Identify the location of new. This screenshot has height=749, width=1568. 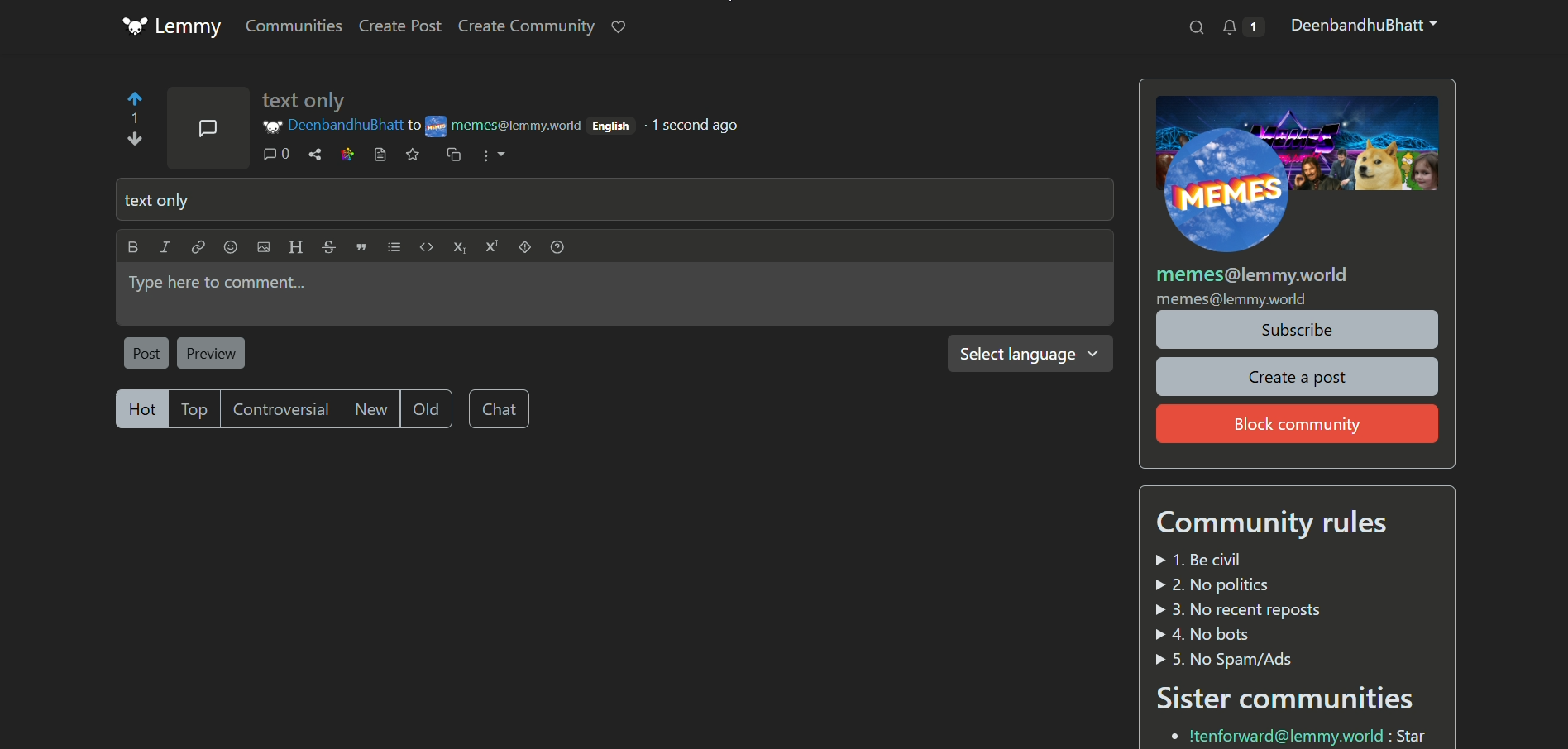
(371, 409).